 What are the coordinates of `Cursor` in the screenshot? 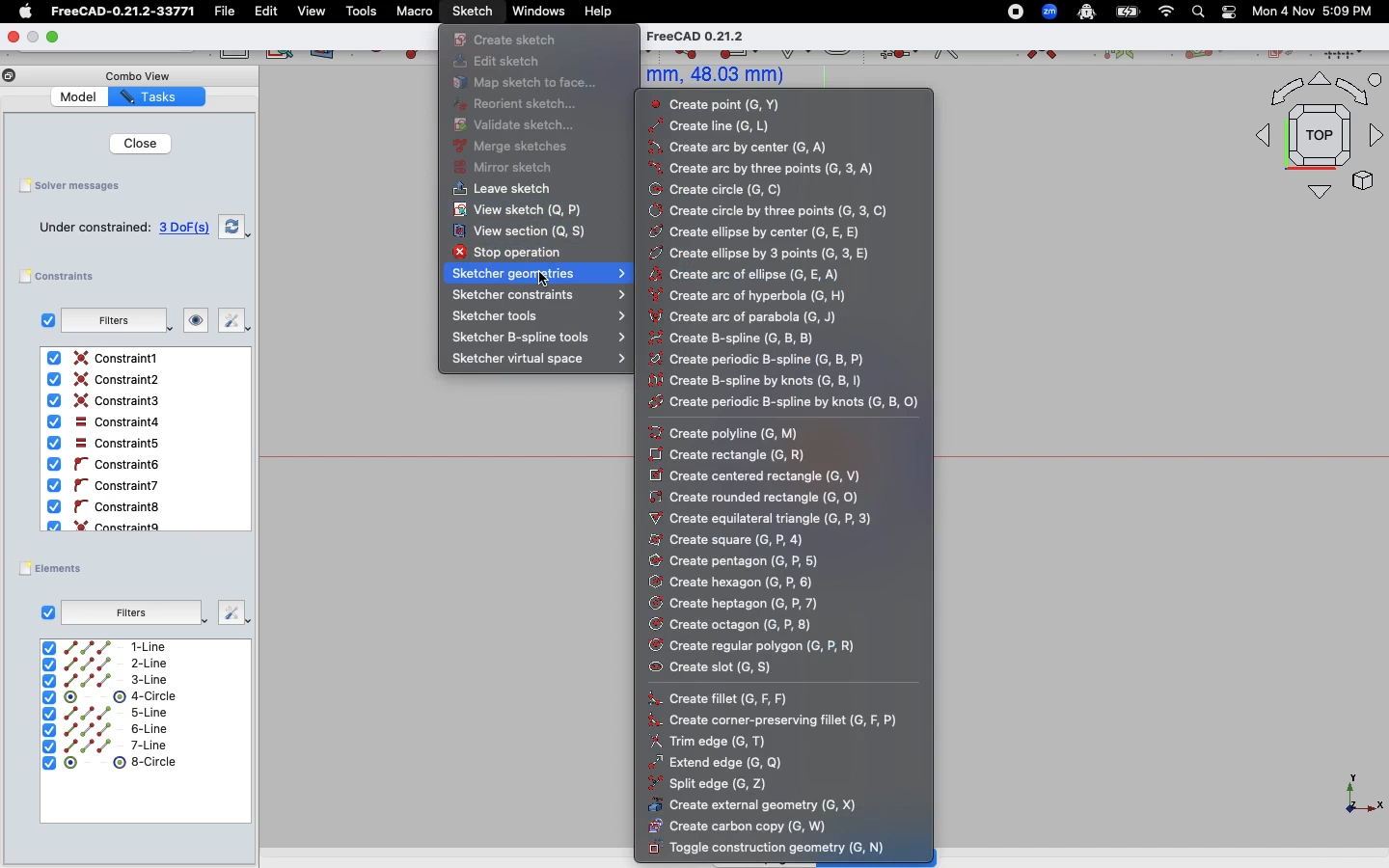 It's located at (544, 279).